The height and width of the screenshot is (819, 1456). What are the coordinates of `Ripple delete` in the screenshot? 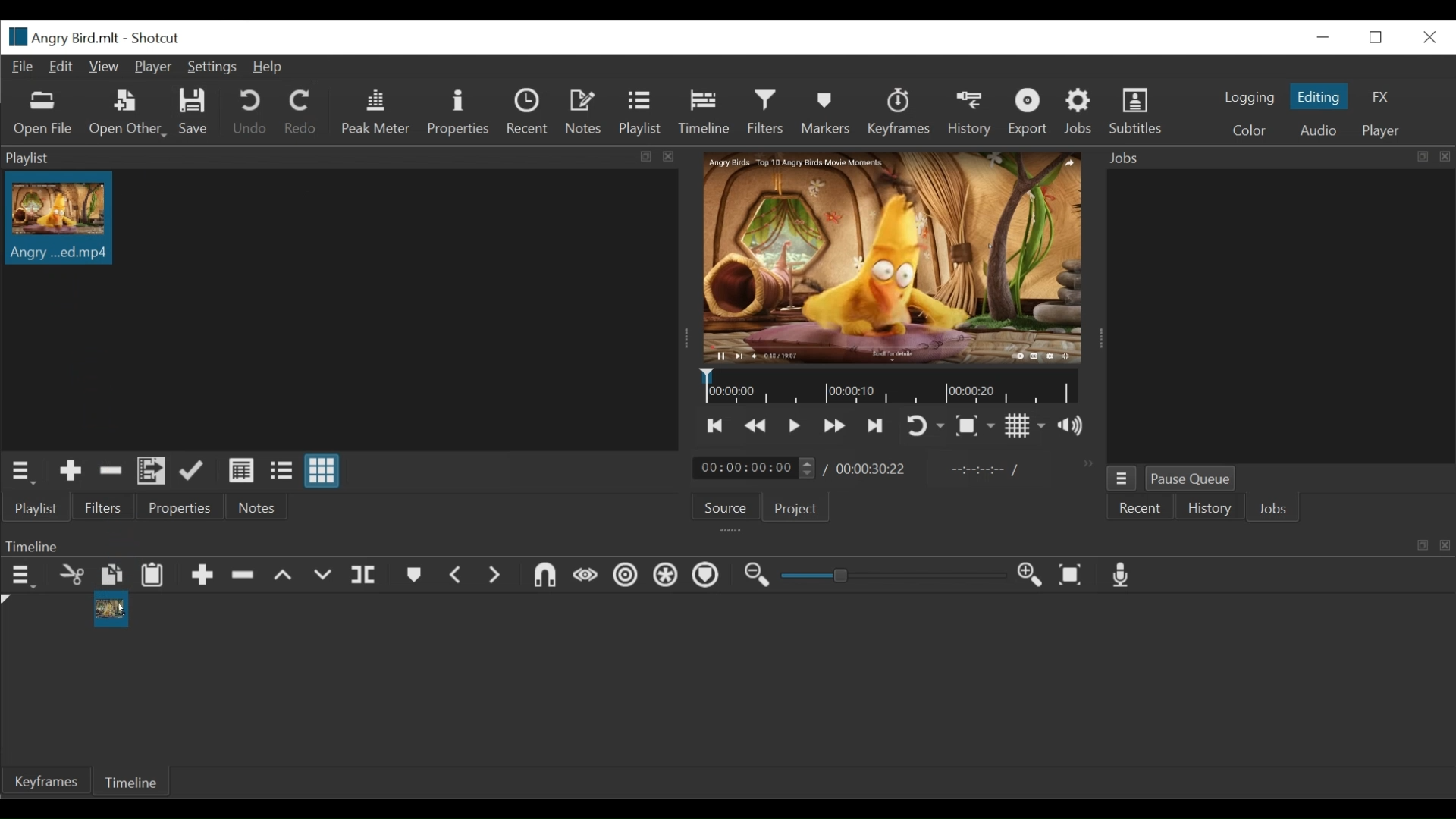 It's located at (243, 576).